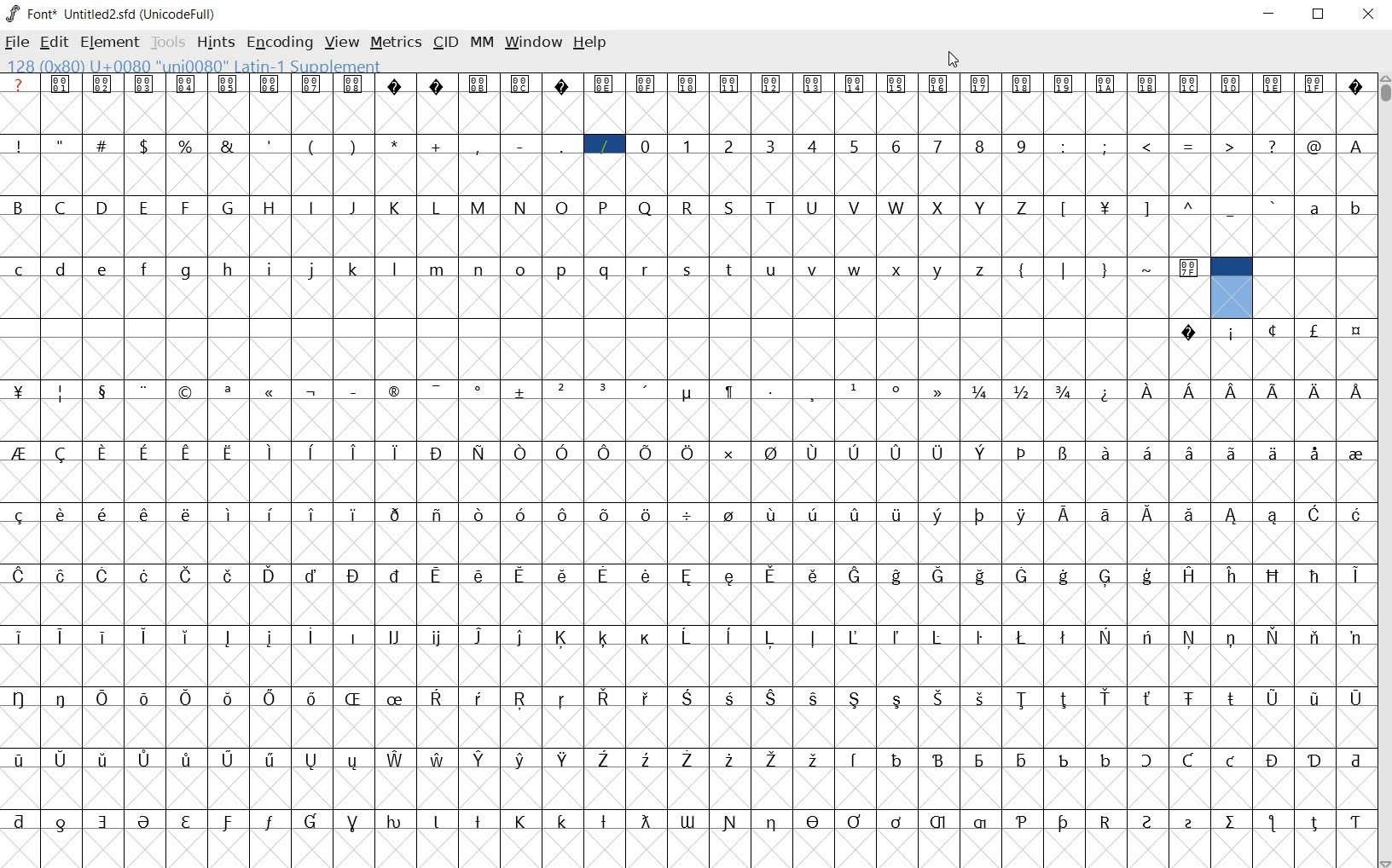 This screenshot has height=868, width=1392. What do you see at coordinates (1106, 758) in the screenshot?
I see `Symbol` at bounding box center [1106, 758].